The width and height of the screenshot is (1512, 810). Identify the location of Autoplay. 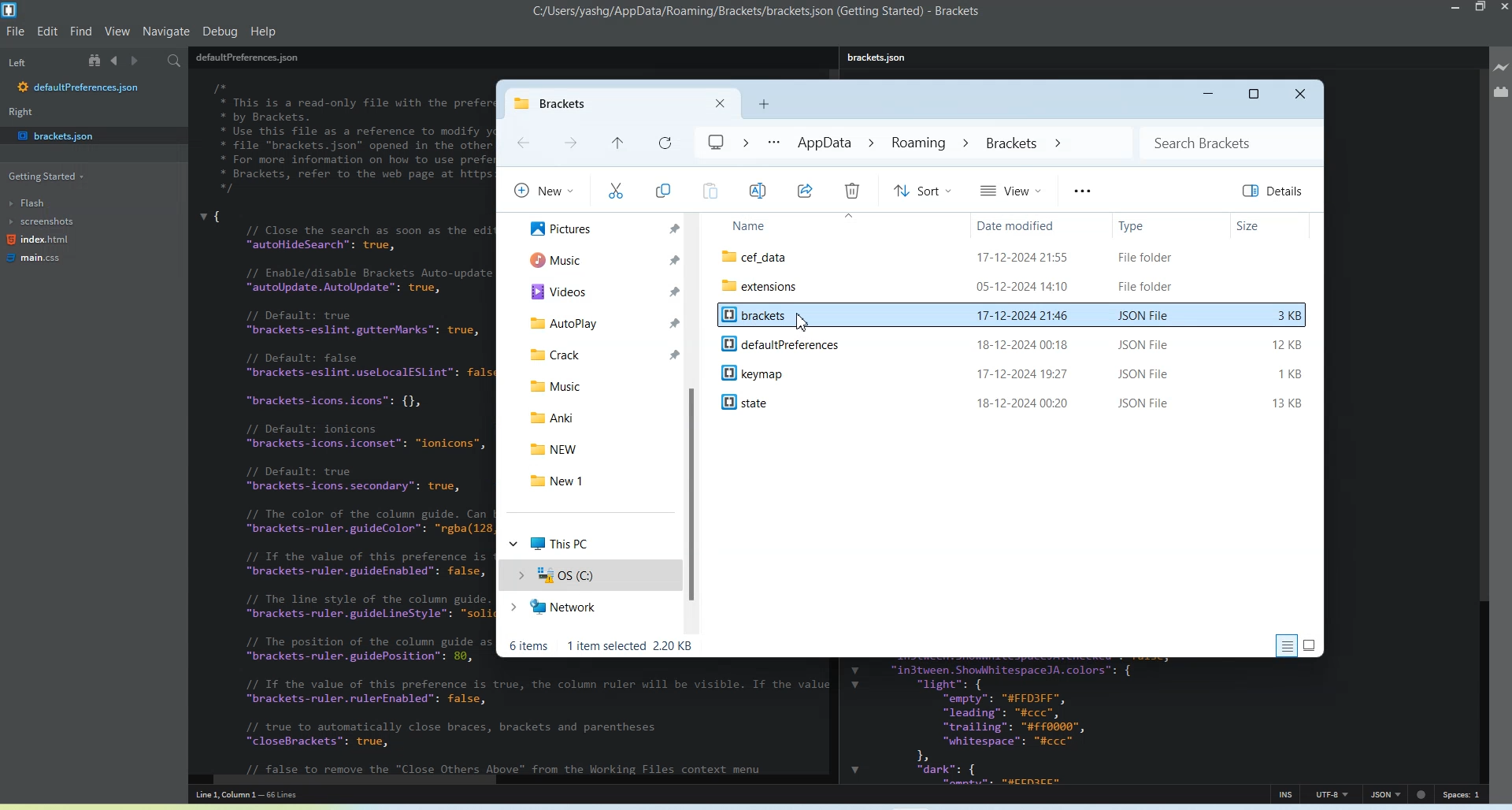
(598, 320).